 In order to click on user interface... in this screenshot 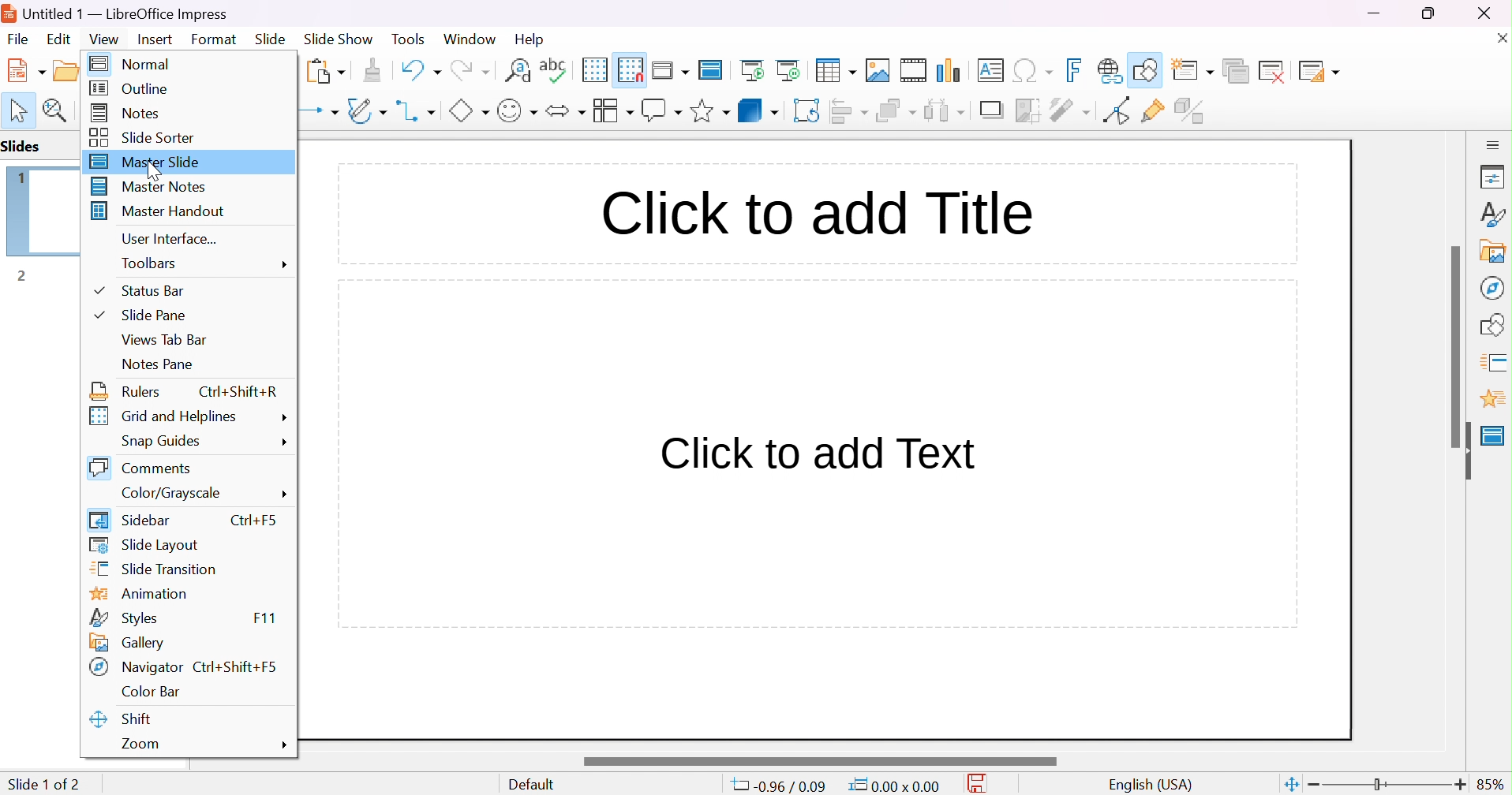, I will do `click(170, 238)`.